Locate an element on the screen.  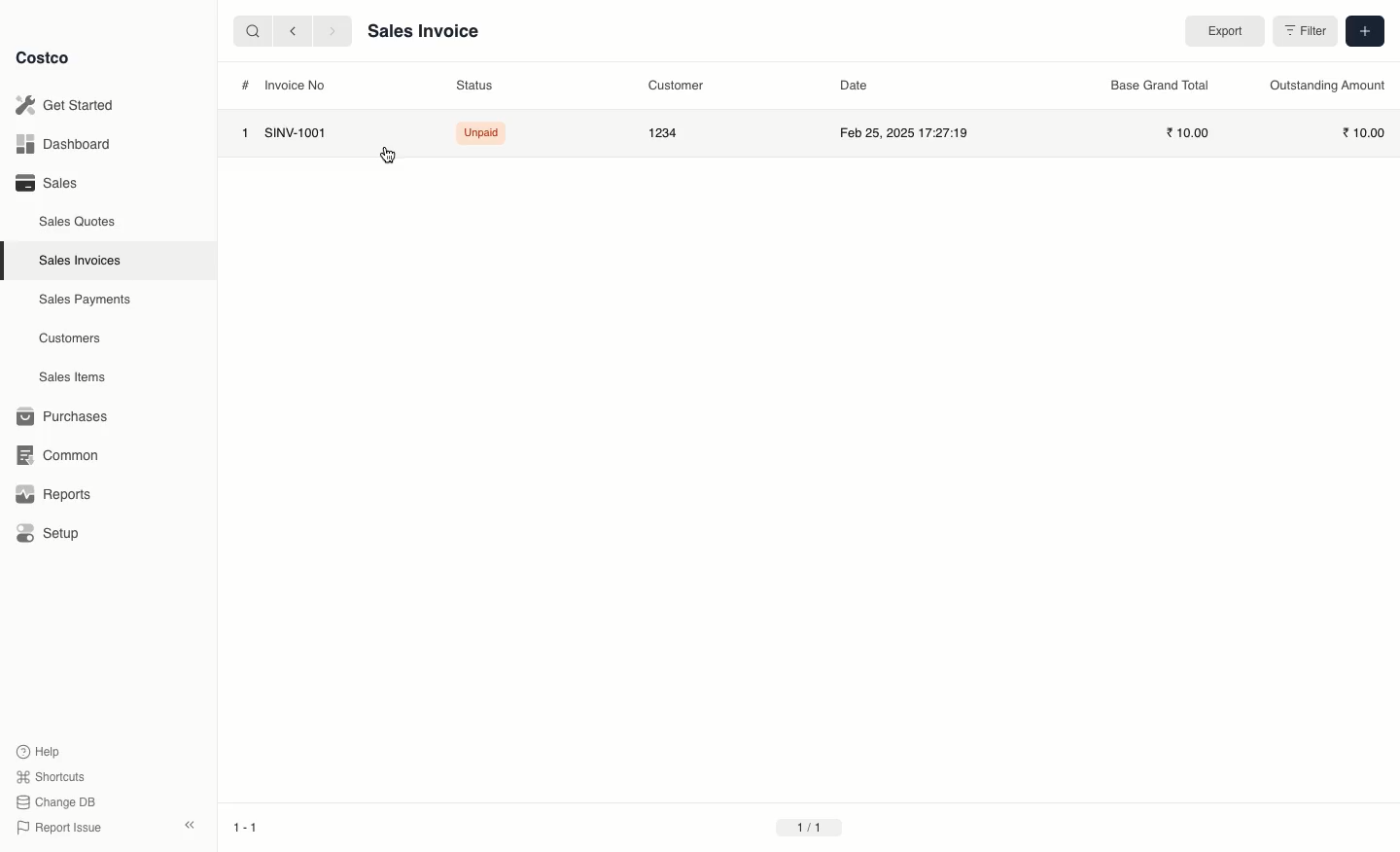
1/1 is located at coordinates (820, 828).